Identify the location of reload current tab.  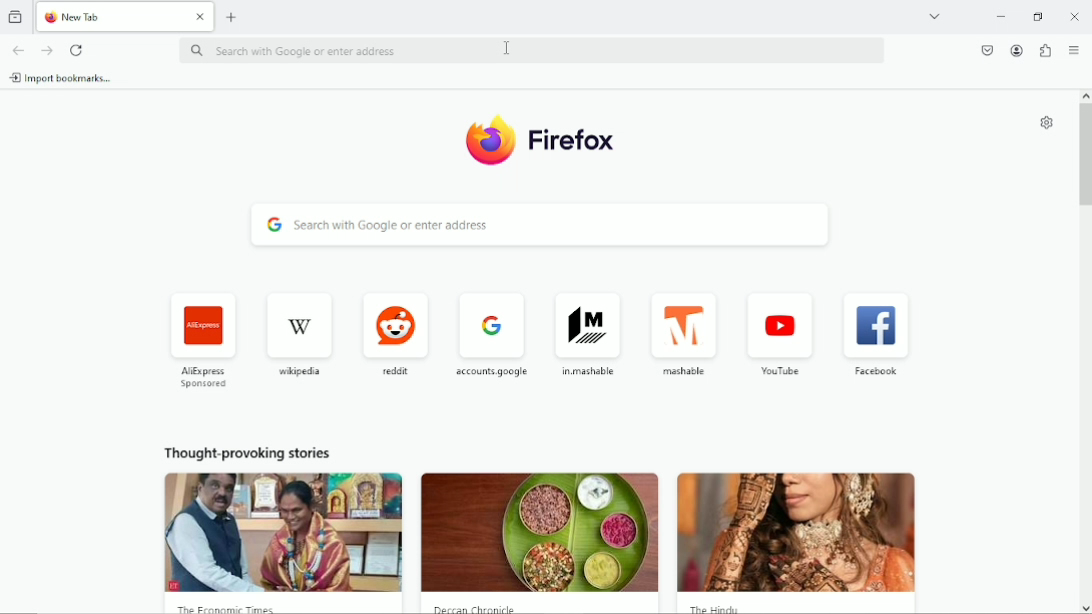
(76, 50).